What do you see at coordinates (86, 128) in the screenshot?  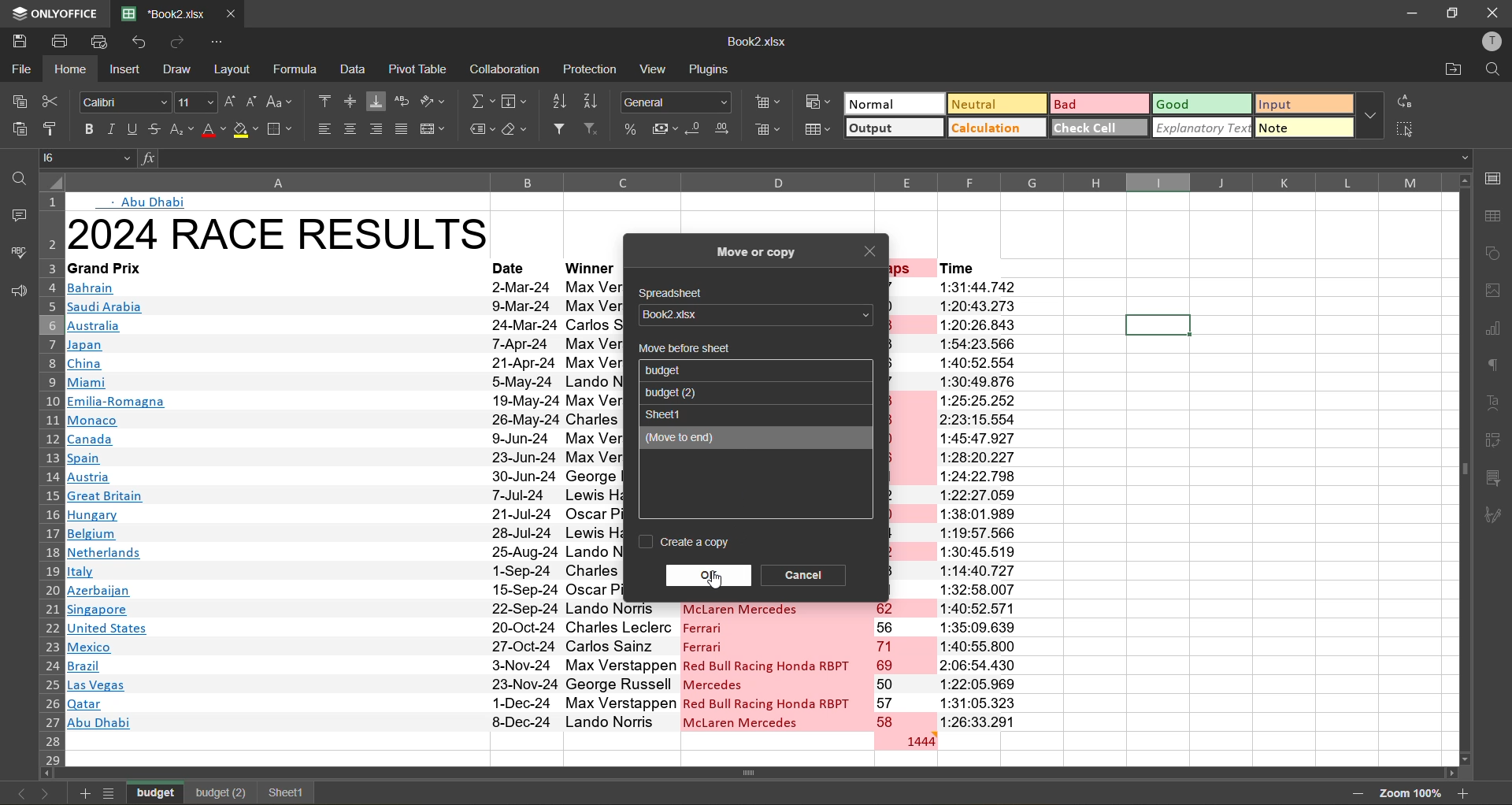 I see `bold` at bounding box center [86, 128].